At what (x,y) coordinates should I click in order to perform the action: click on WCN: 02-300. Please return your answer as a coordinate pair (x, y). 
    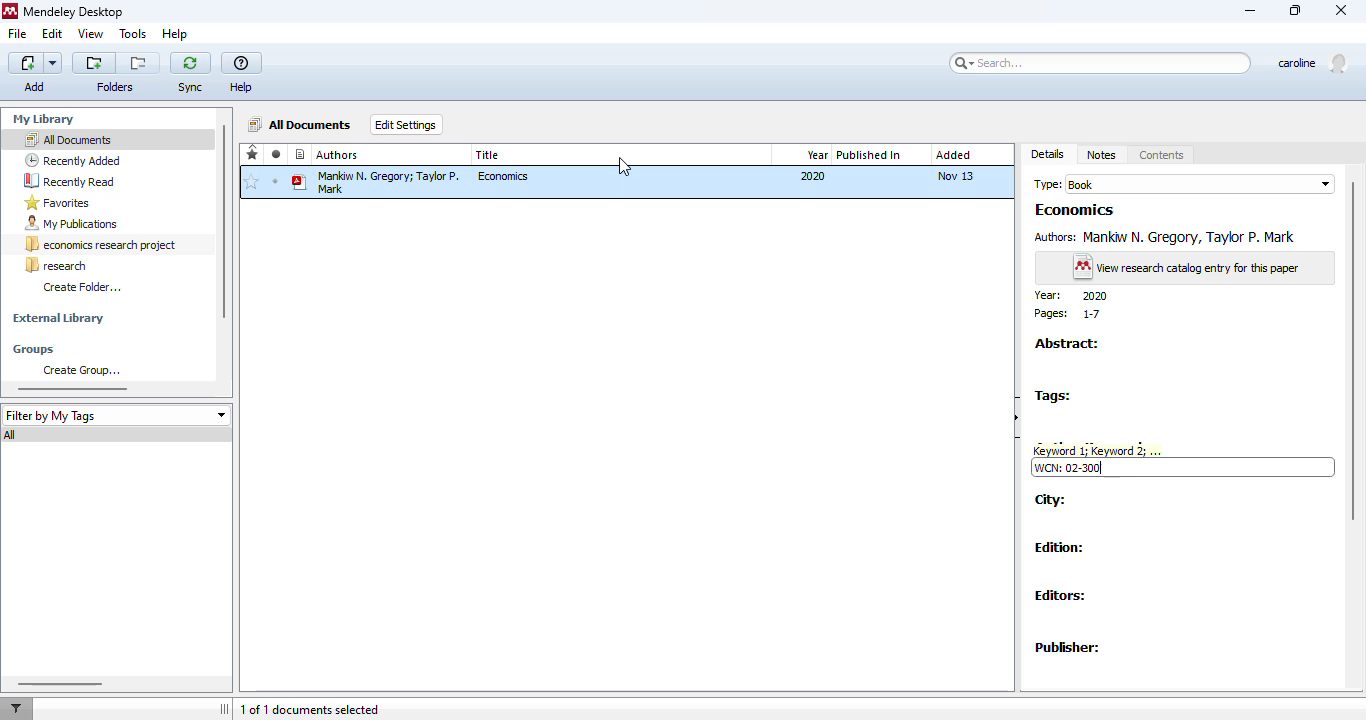
    Looking at the image, I should click on (1069, 467).